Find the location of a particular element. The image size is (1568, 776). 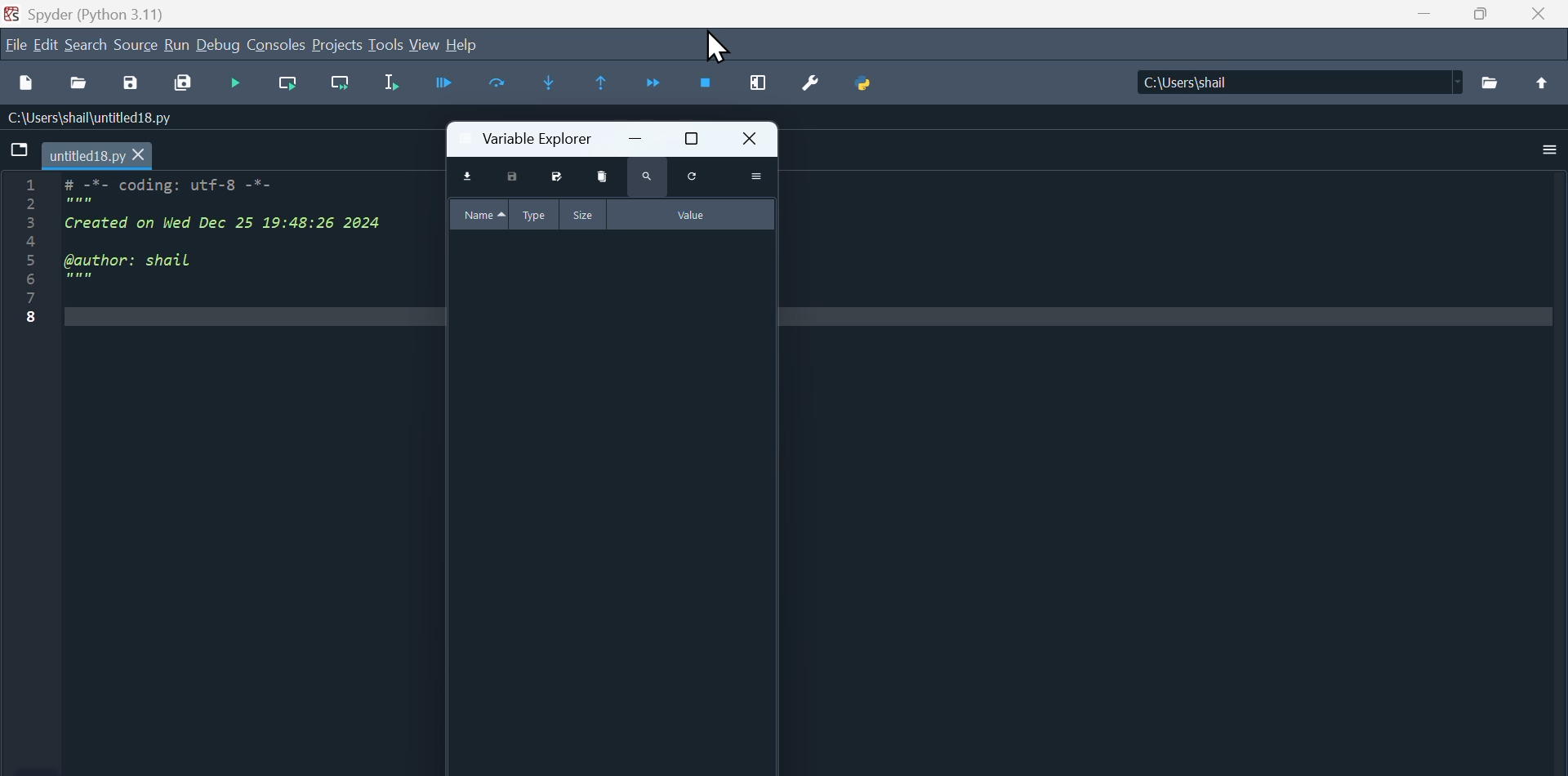

 is located at coordinates (135, 46).